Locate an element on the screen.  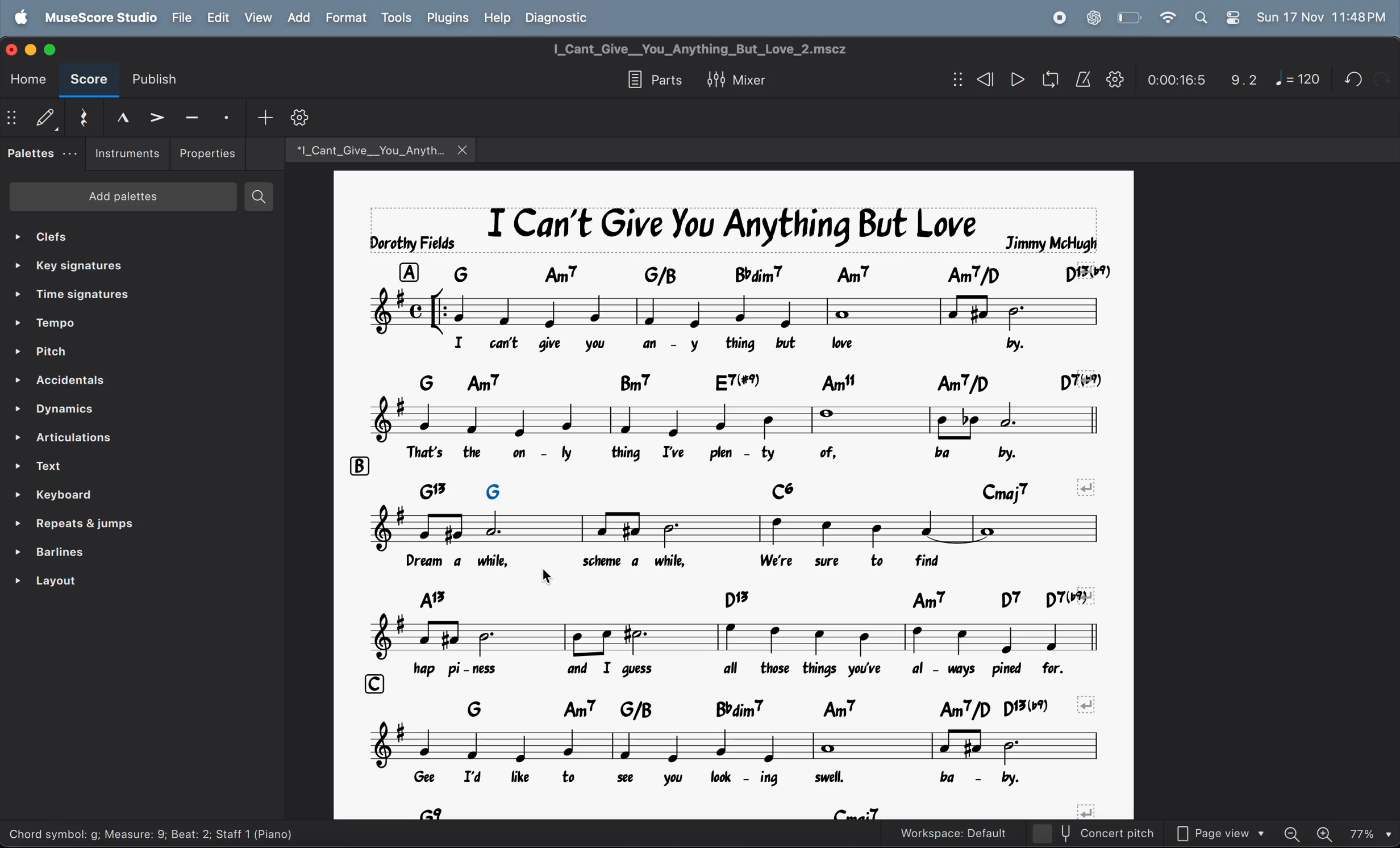
record is located at coordinates (1058, 19).